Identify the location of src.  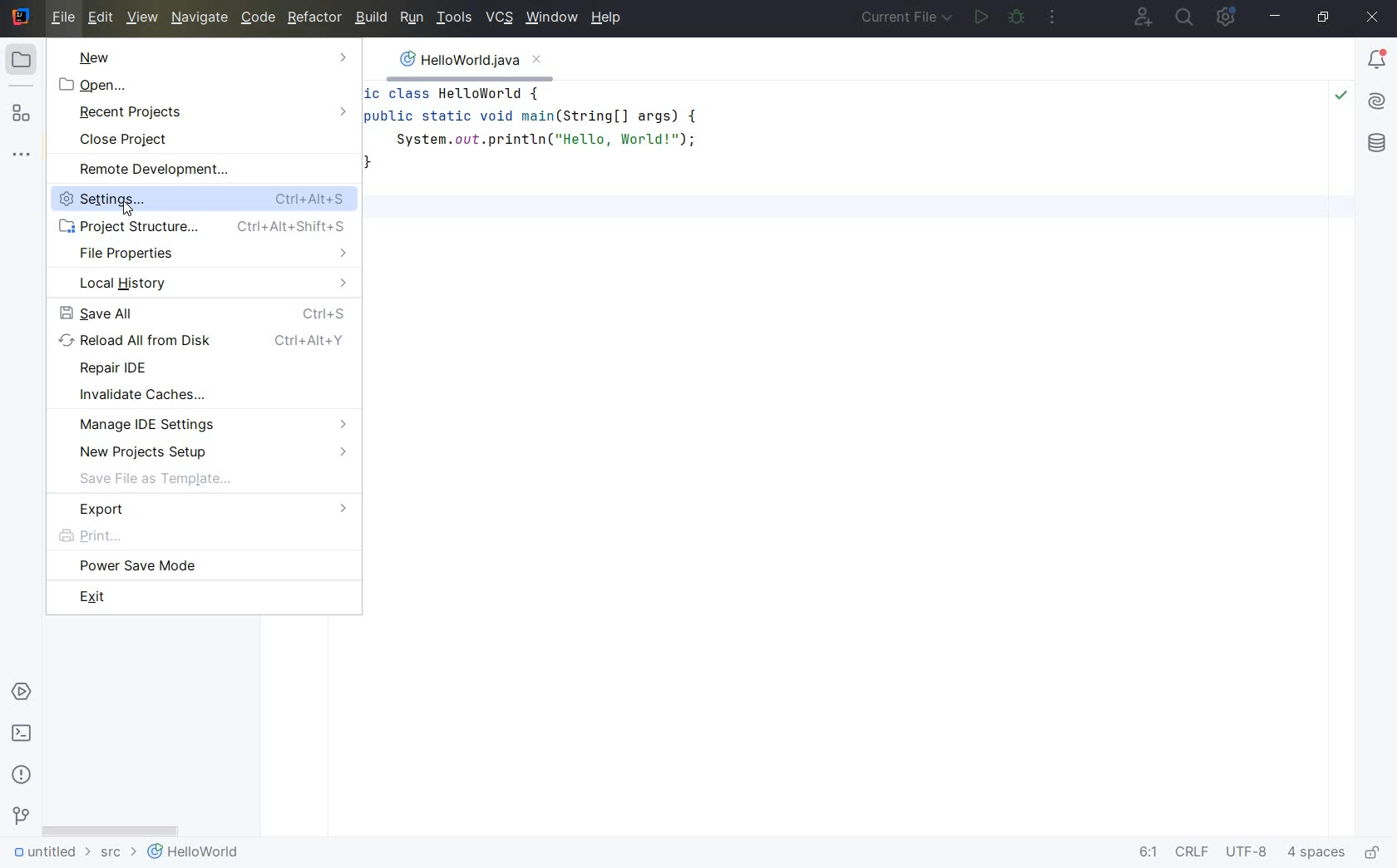
(116, 856).